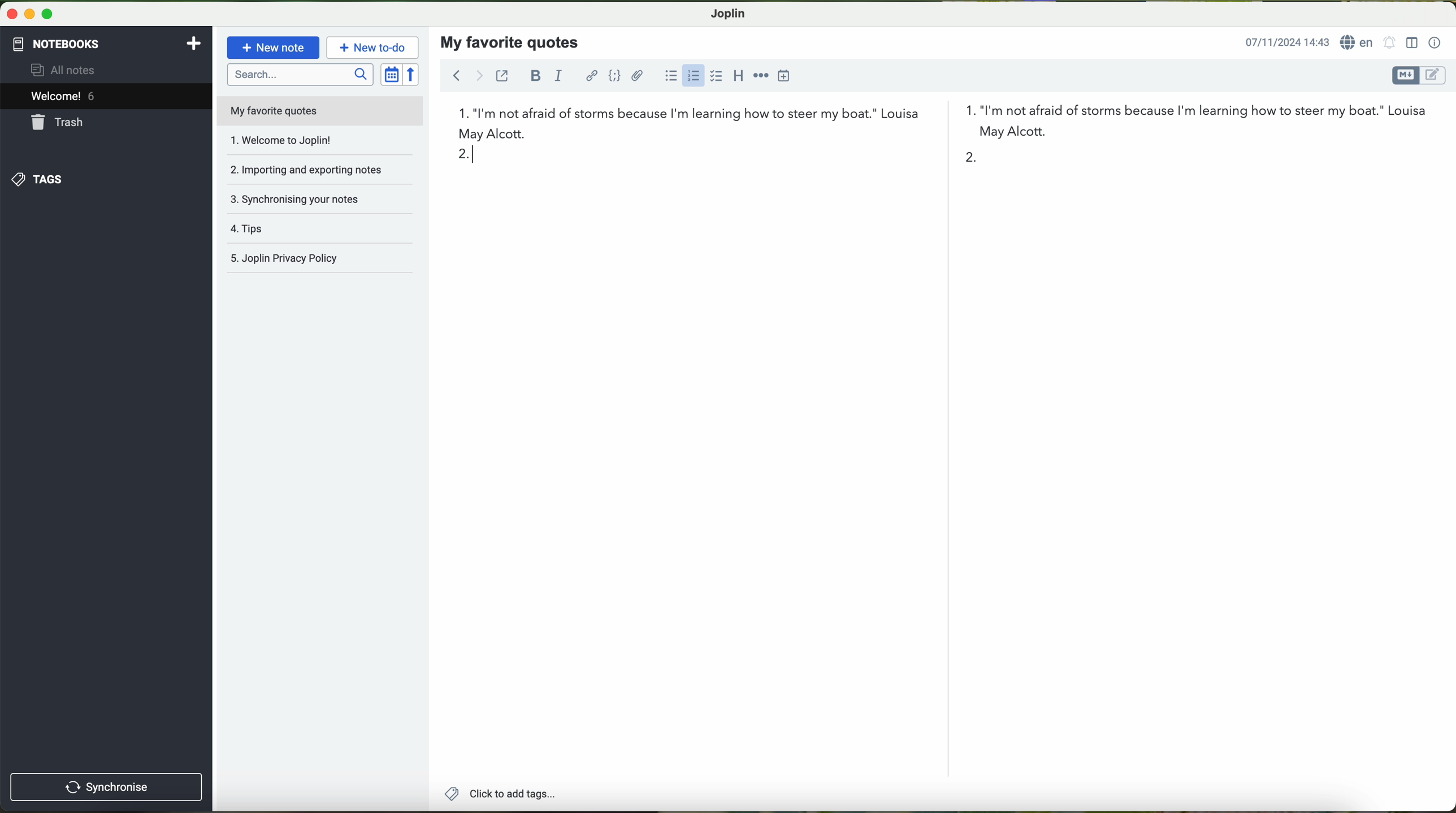  What do you see at coordinates (727, 13) in the screenshot?
I see `Joplin` at bounding box center [727, 13].